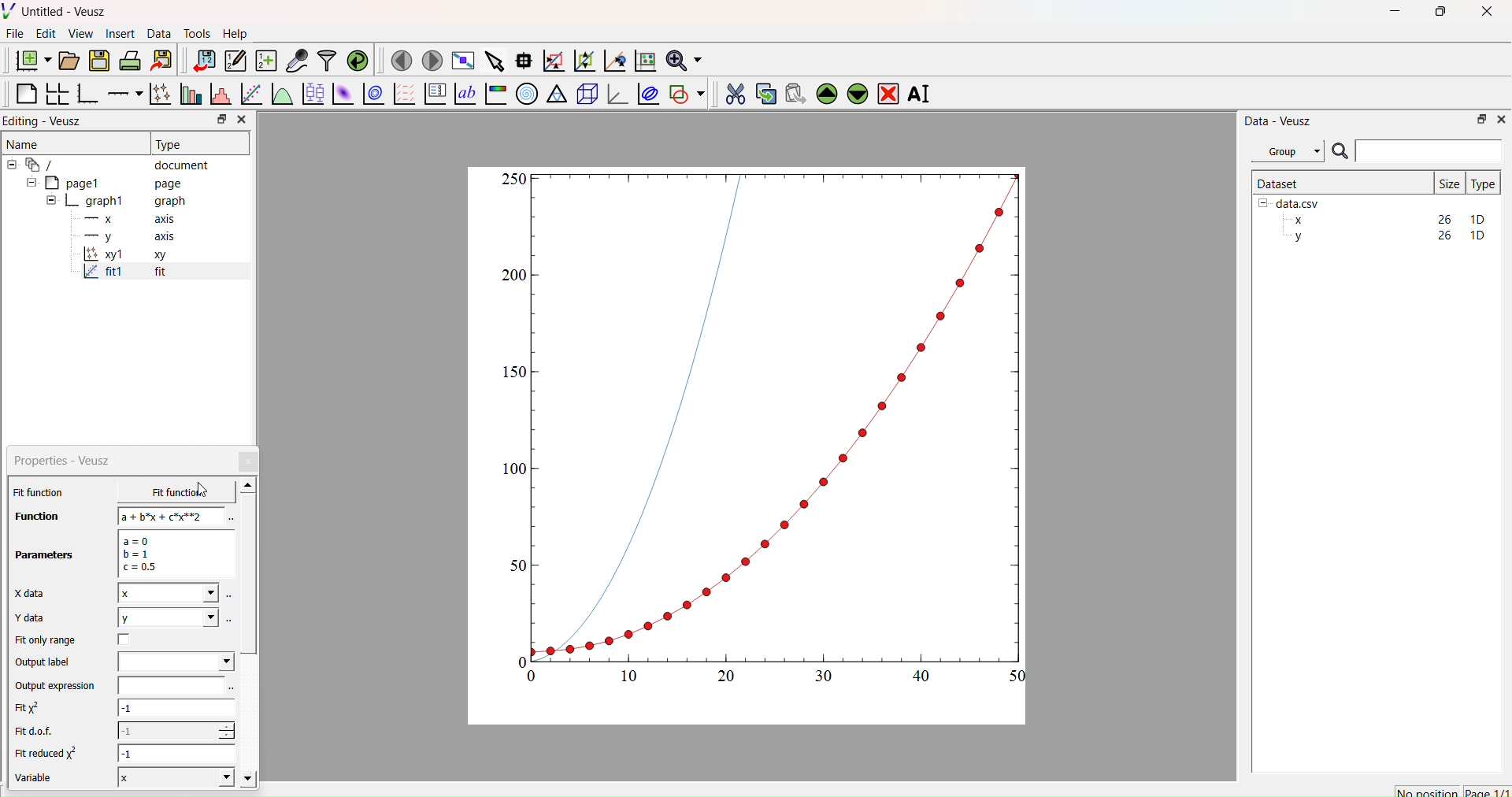  What do you see at coordinates (647, 93) in the screenshot?
I see `Plot covariance ellipses` at bounding box center [647, 93].